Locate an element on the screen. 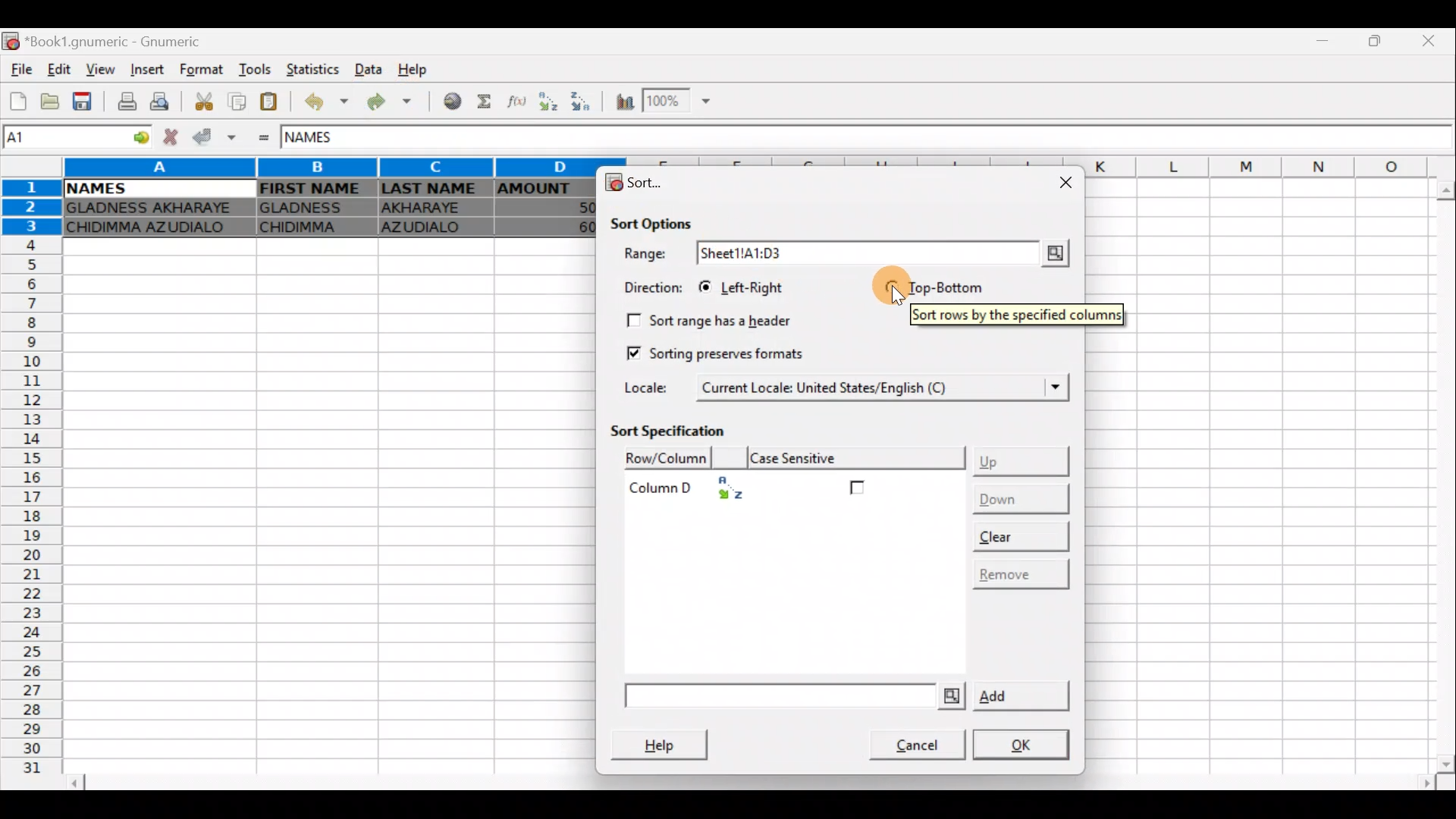 The image size is (1456, 819). Cursor on top-bottom is located at coordinates (879, 288).